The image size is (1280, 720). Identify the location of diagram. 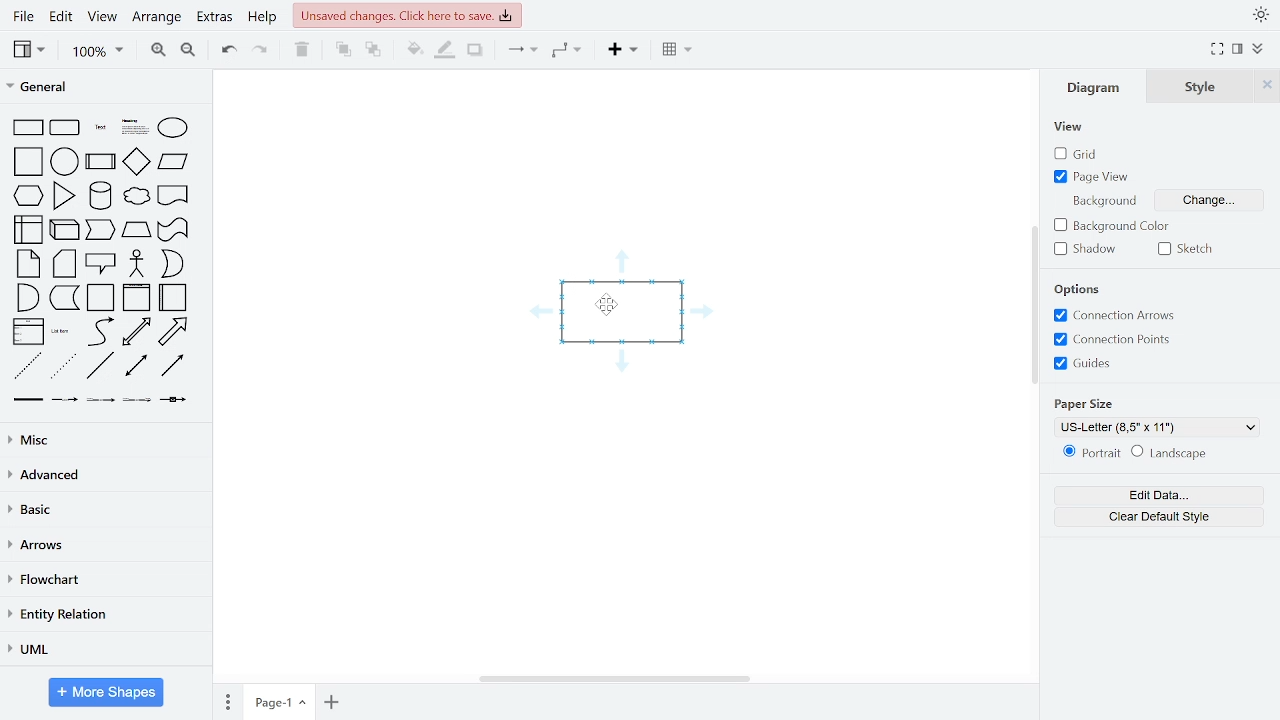
(1098, 88).